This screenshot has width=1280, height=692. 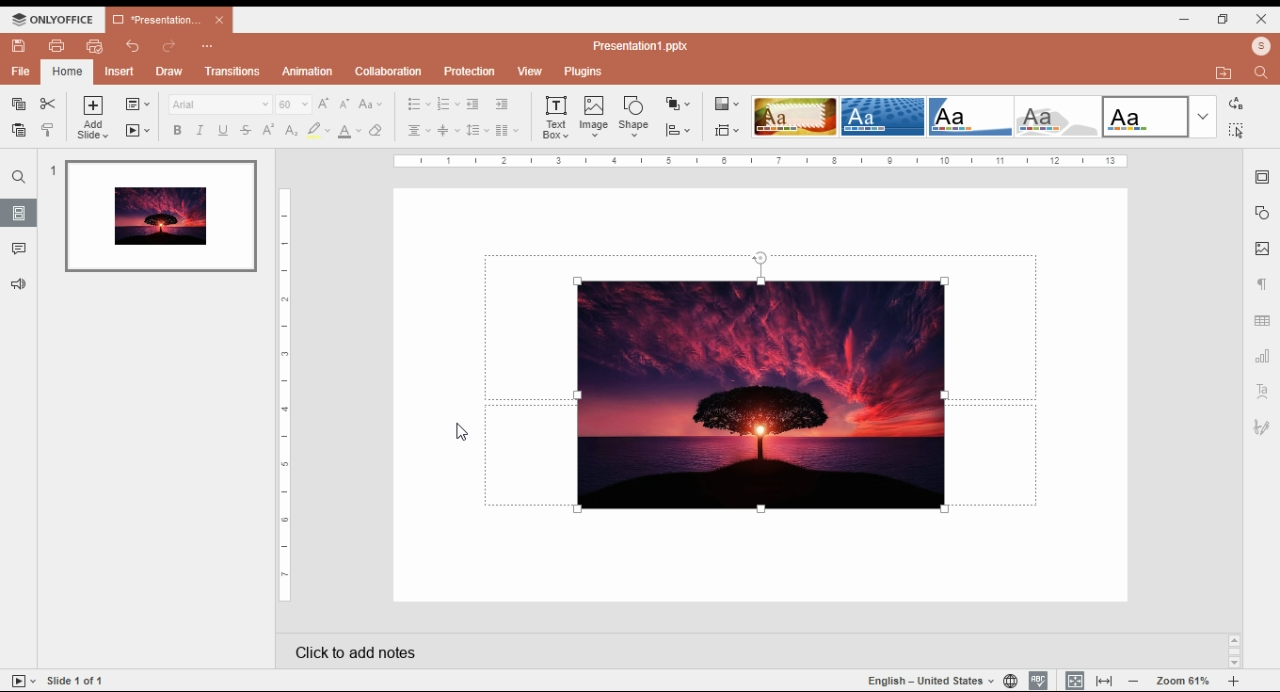 I want to click on image, so click(x=761, y=397).